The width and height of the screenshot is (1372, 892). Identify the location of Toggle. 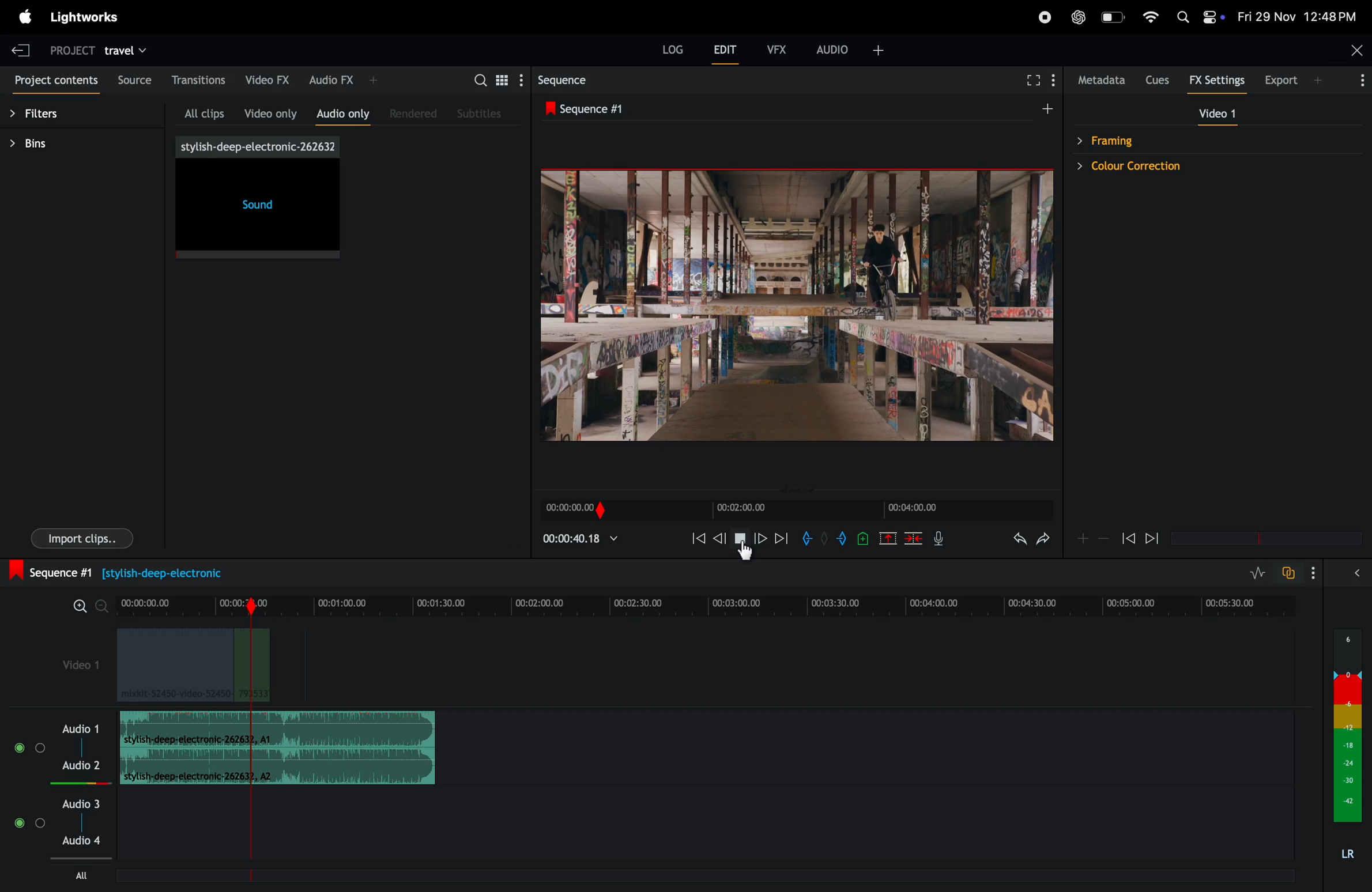
(20, 748).